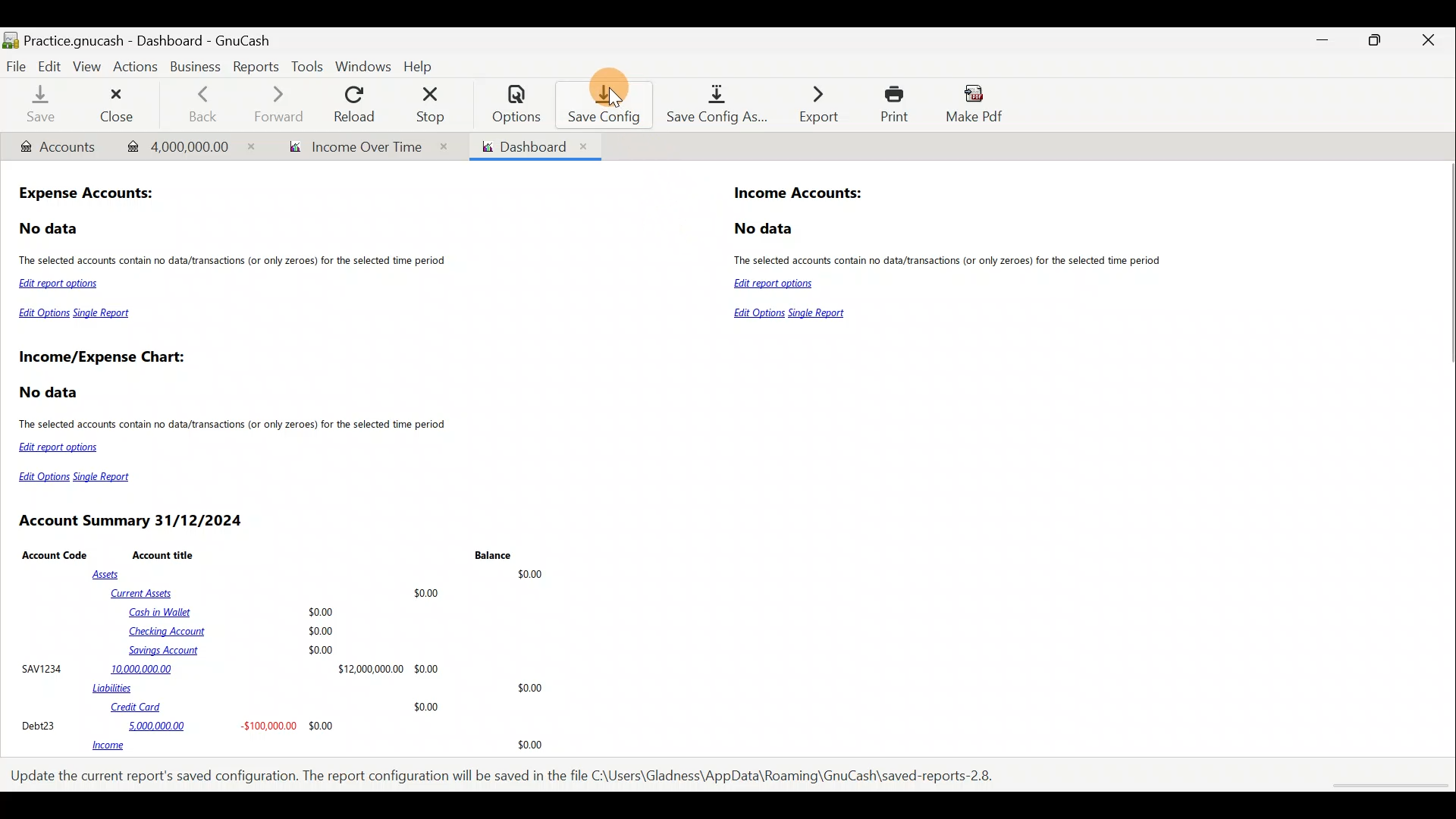 The image size is (1456, 819). What do you see at coordinates (307, 67) in the screenshot?
I see `Tools` at bounding box center [307, 67].